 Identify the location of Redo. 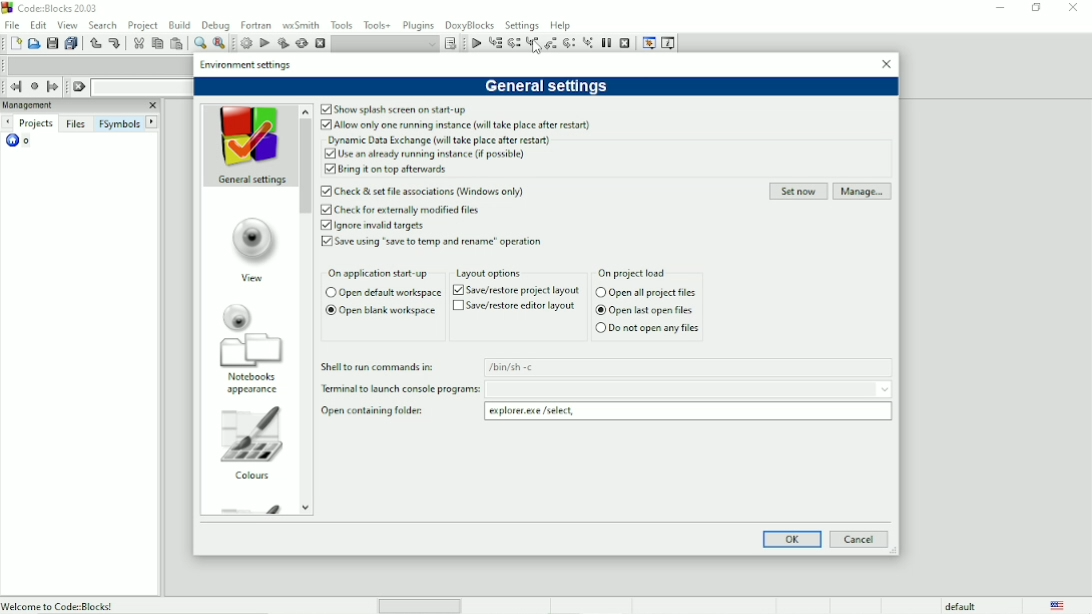
(115, 43).